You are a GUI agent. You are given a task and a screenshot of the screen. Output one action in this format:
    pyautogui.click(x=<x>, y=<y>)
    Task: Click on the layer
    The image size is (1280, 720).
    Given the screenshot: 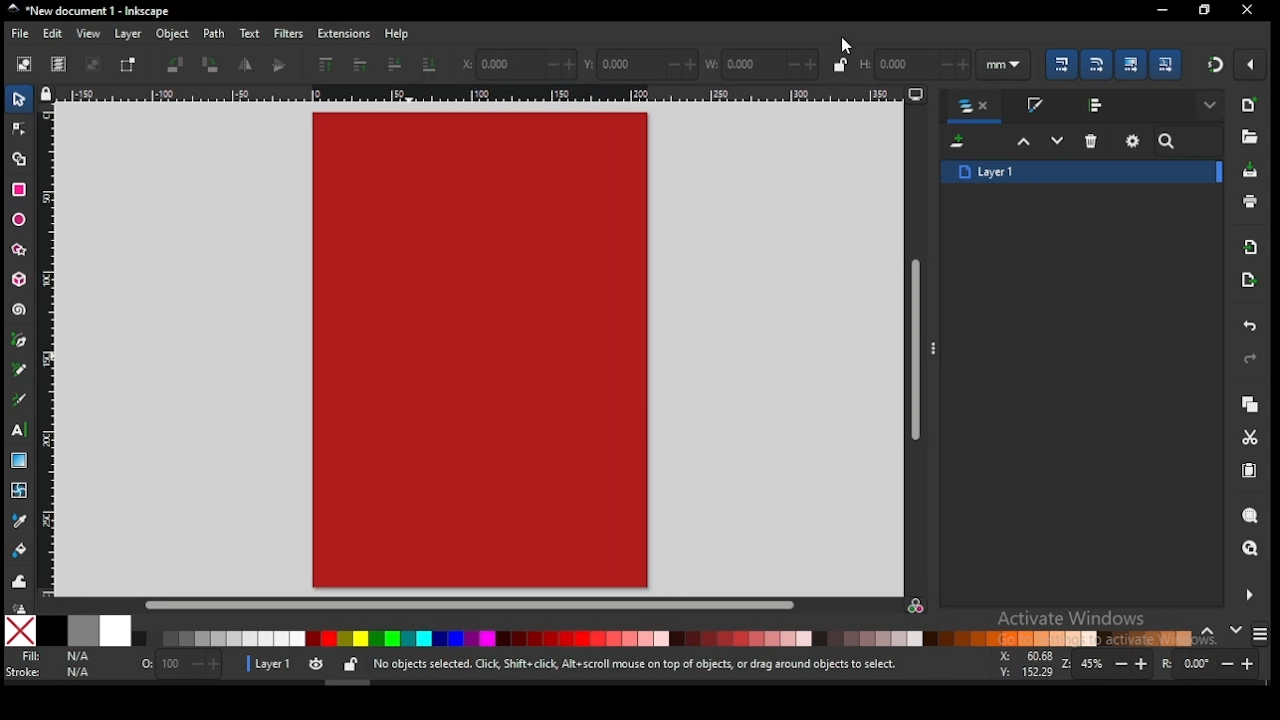 What is the action you would take?
    pyautogui.click(x=128, y=34)
    